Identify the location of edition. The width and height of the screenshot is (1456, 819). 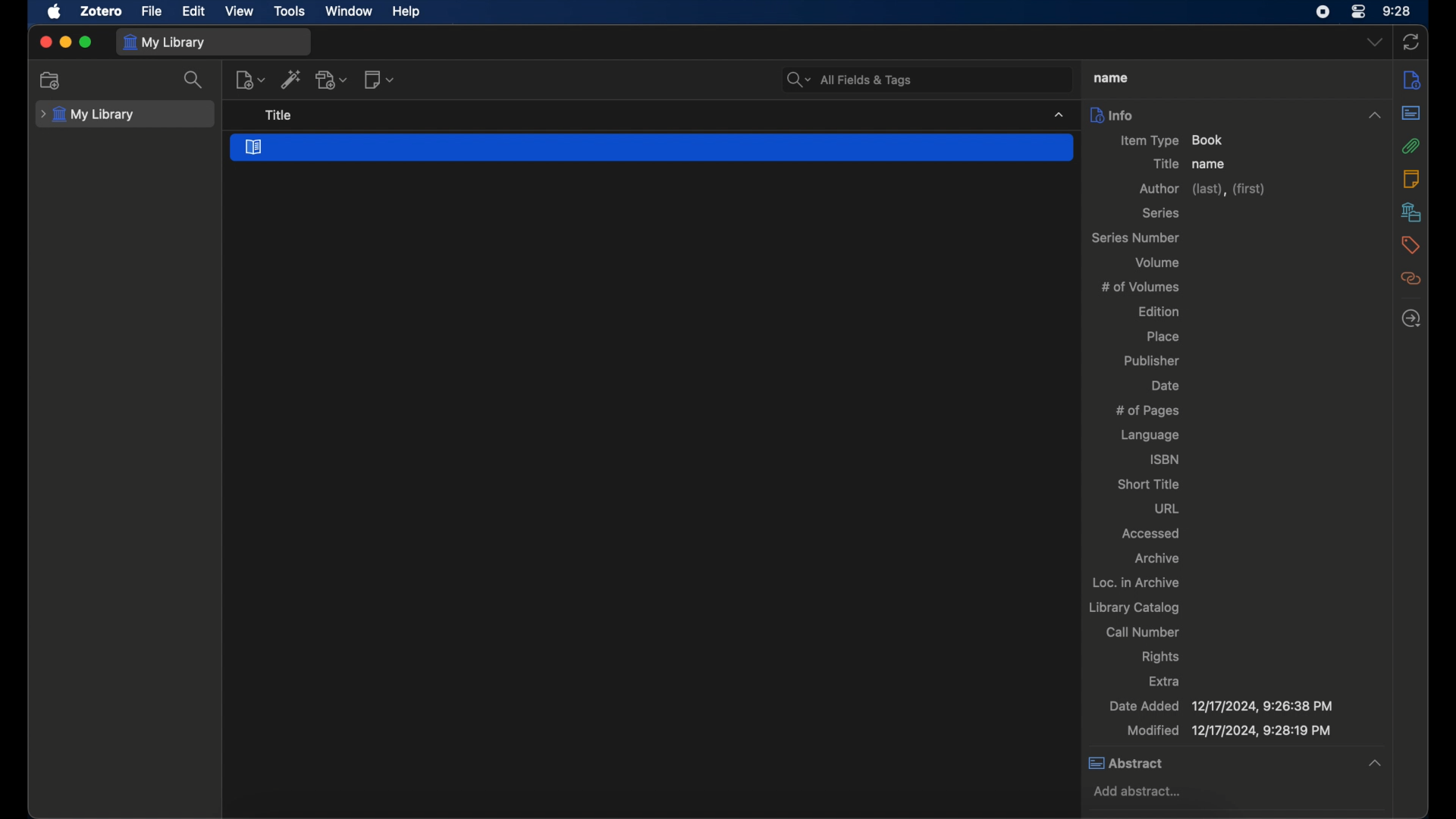
(1159, 312).